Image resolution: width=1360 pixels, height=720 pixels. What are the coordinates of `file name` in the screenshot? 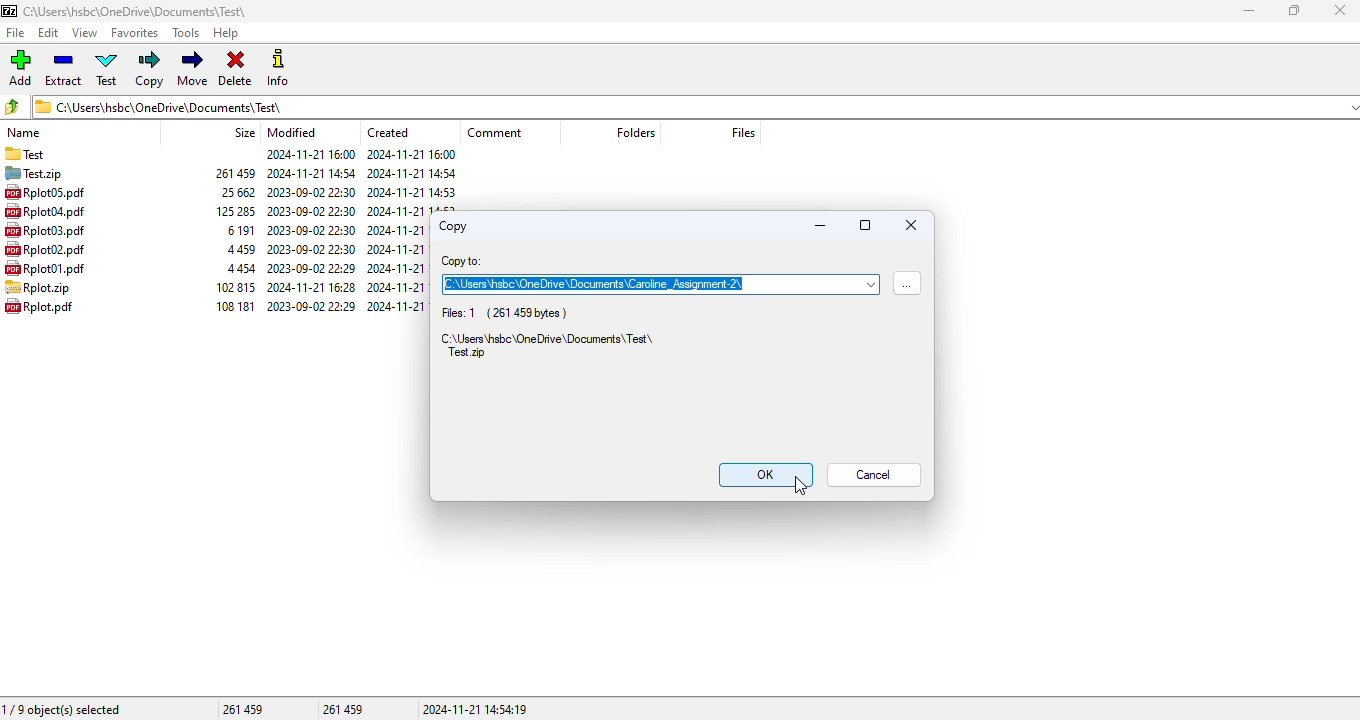 It's located at (44, 211).